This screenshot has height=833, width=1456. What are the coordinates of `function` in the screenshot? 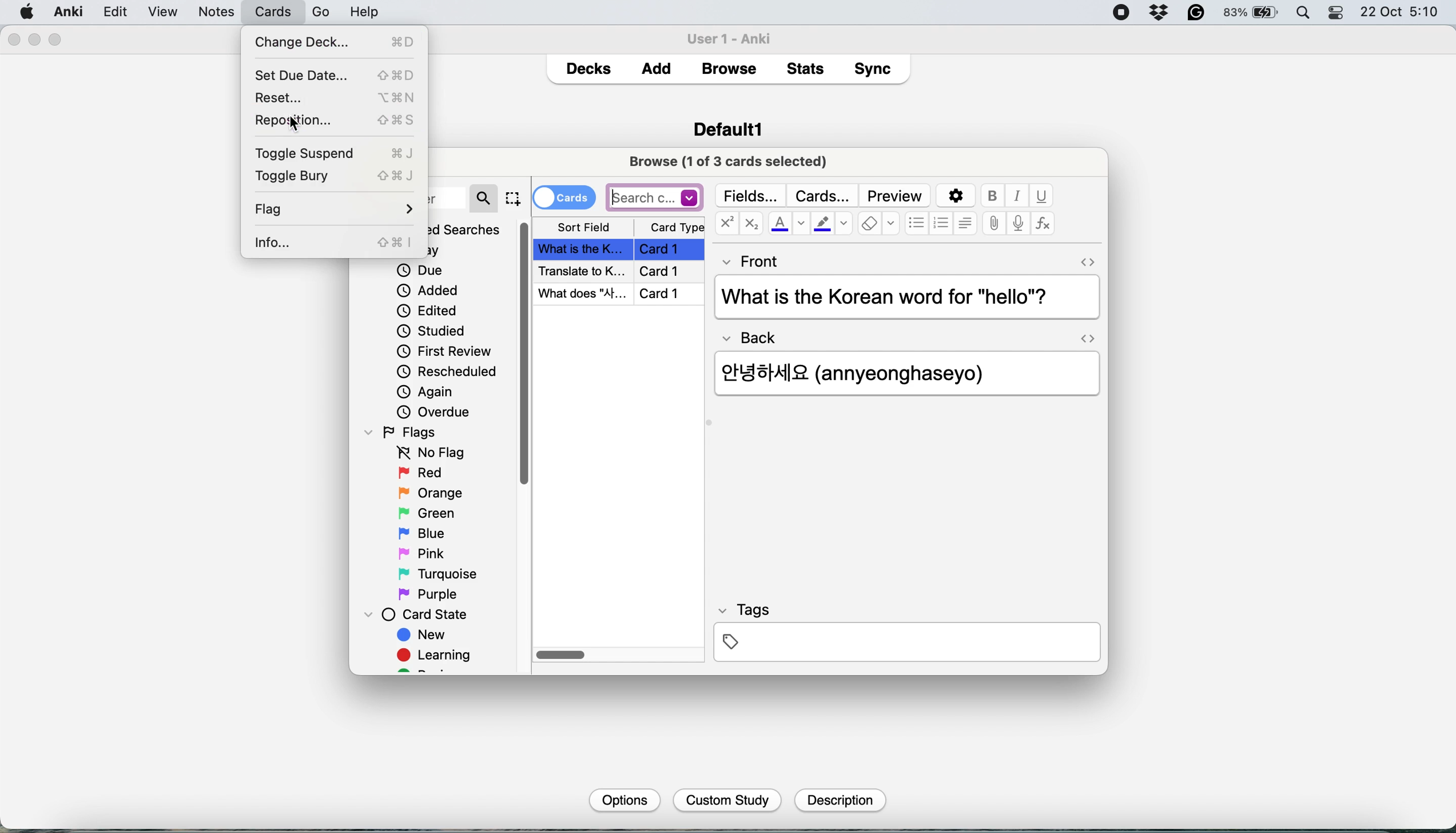 It's located at (1043, 224).